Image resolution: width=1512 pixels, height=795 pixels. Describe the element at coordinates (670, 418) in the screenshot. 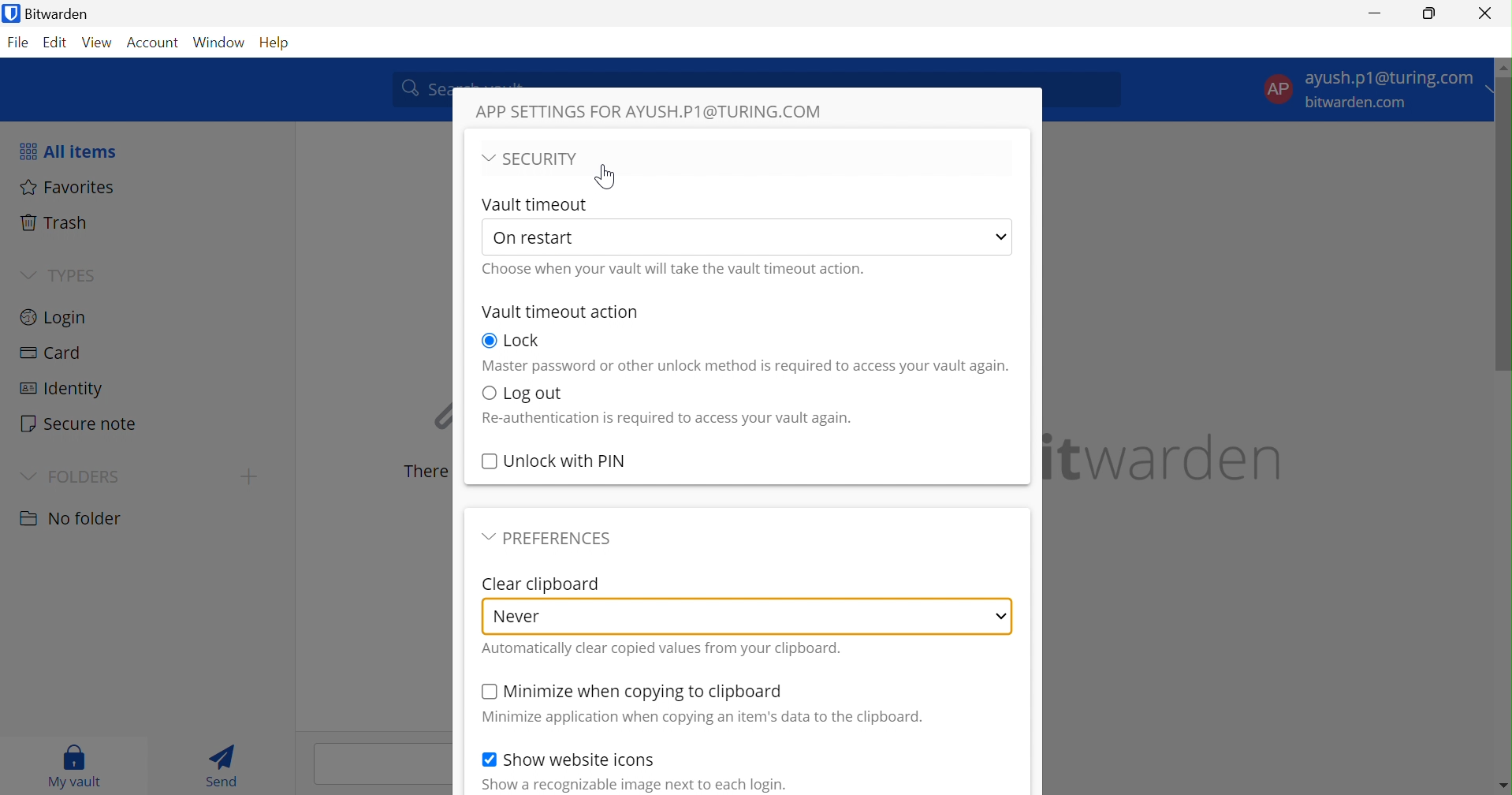

I see `Re-authentication is required to access your vault again.` at that location.